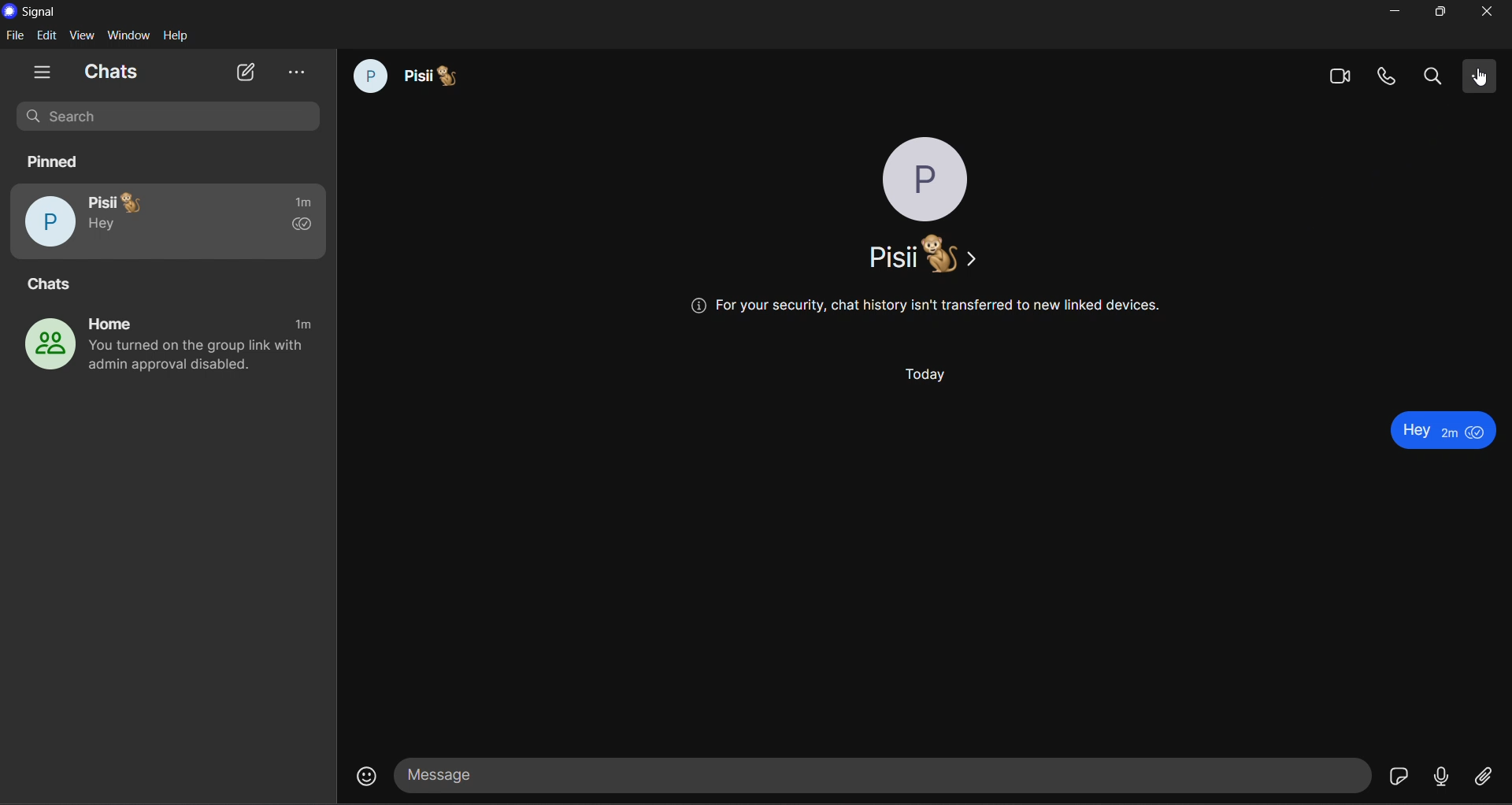 Image resolution: width=1512 pixels, height=805 pixels. Describe the element at coordinates (1477, 76) in the screenshot. I see `more` at that location.